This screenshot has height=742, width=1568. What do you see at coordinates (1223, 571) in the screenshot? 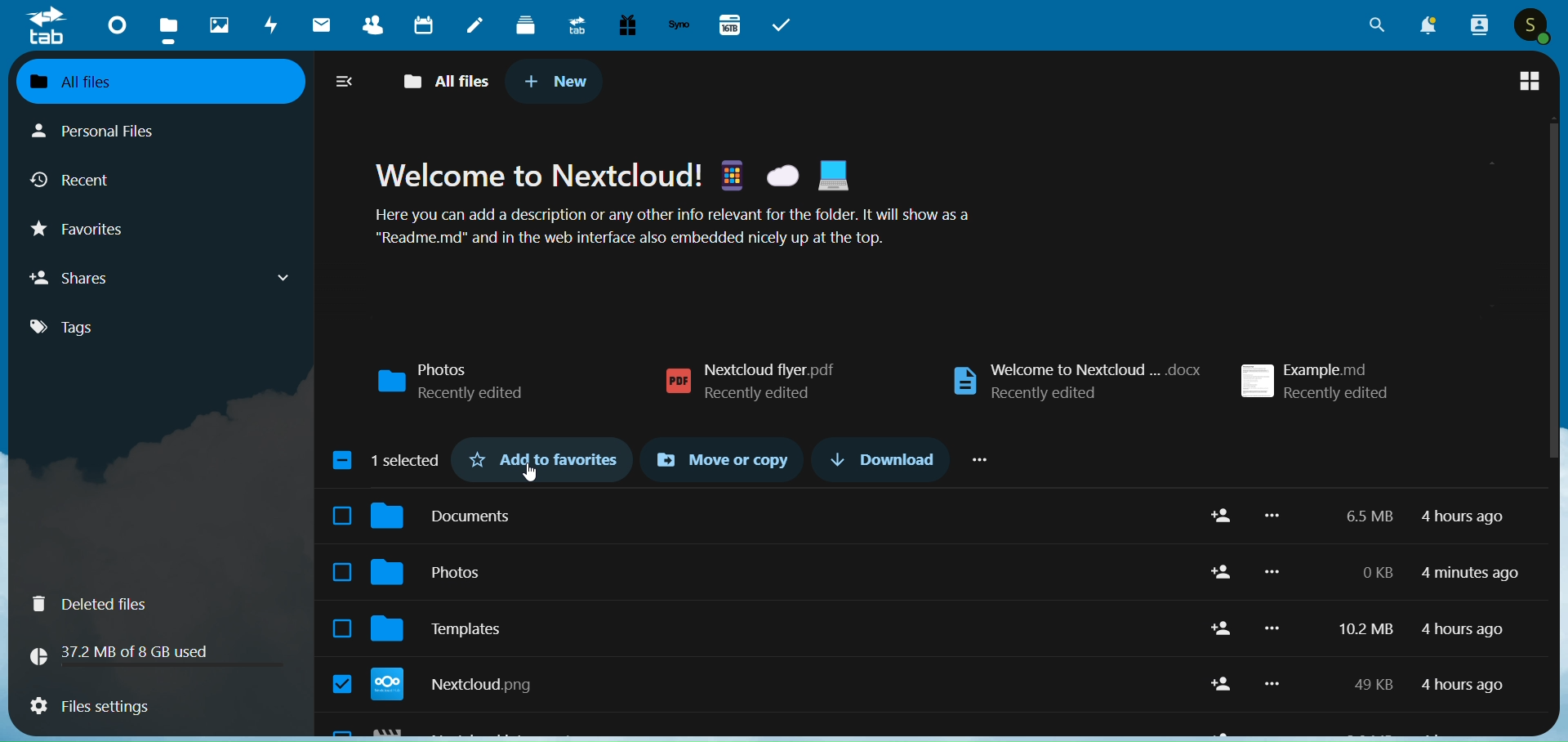
I see `Add` at bounding box center [1223, 571].